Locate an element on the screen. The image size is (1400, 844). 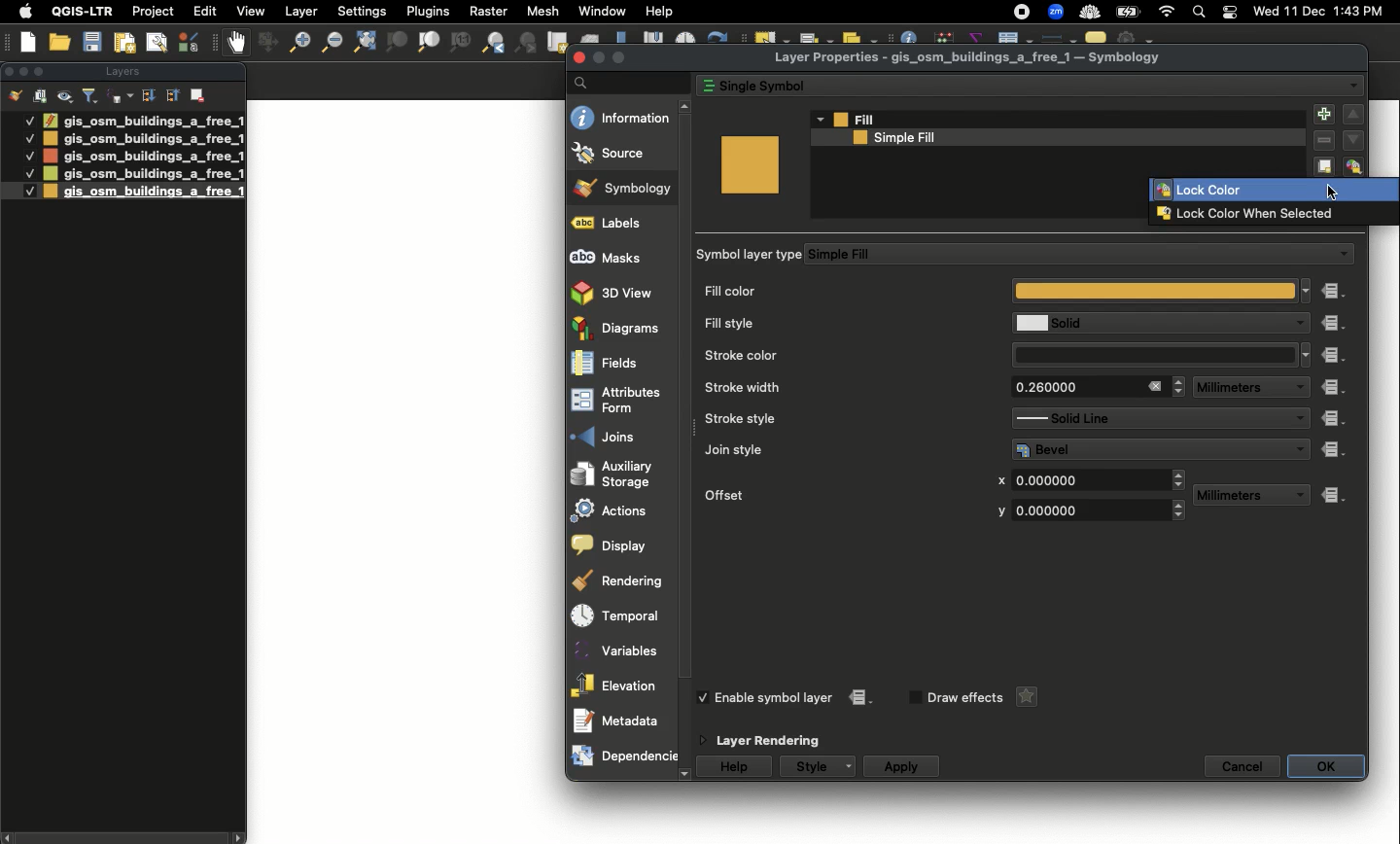
Join style is located at coordinates (843, 449).